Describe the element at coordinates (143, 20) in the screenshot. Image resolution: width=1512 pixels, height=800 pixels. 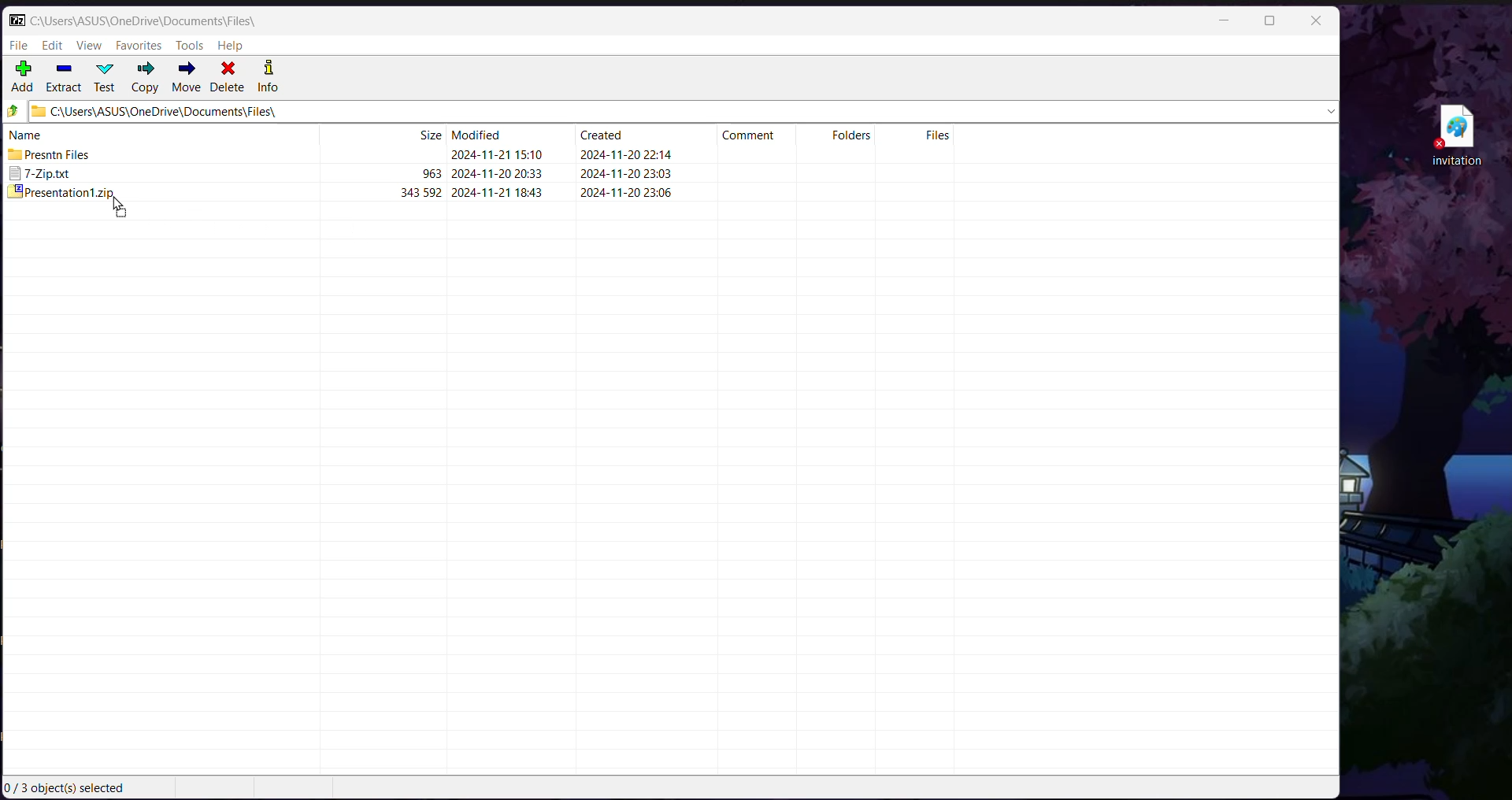
I see `Current Folder Path` at that location.